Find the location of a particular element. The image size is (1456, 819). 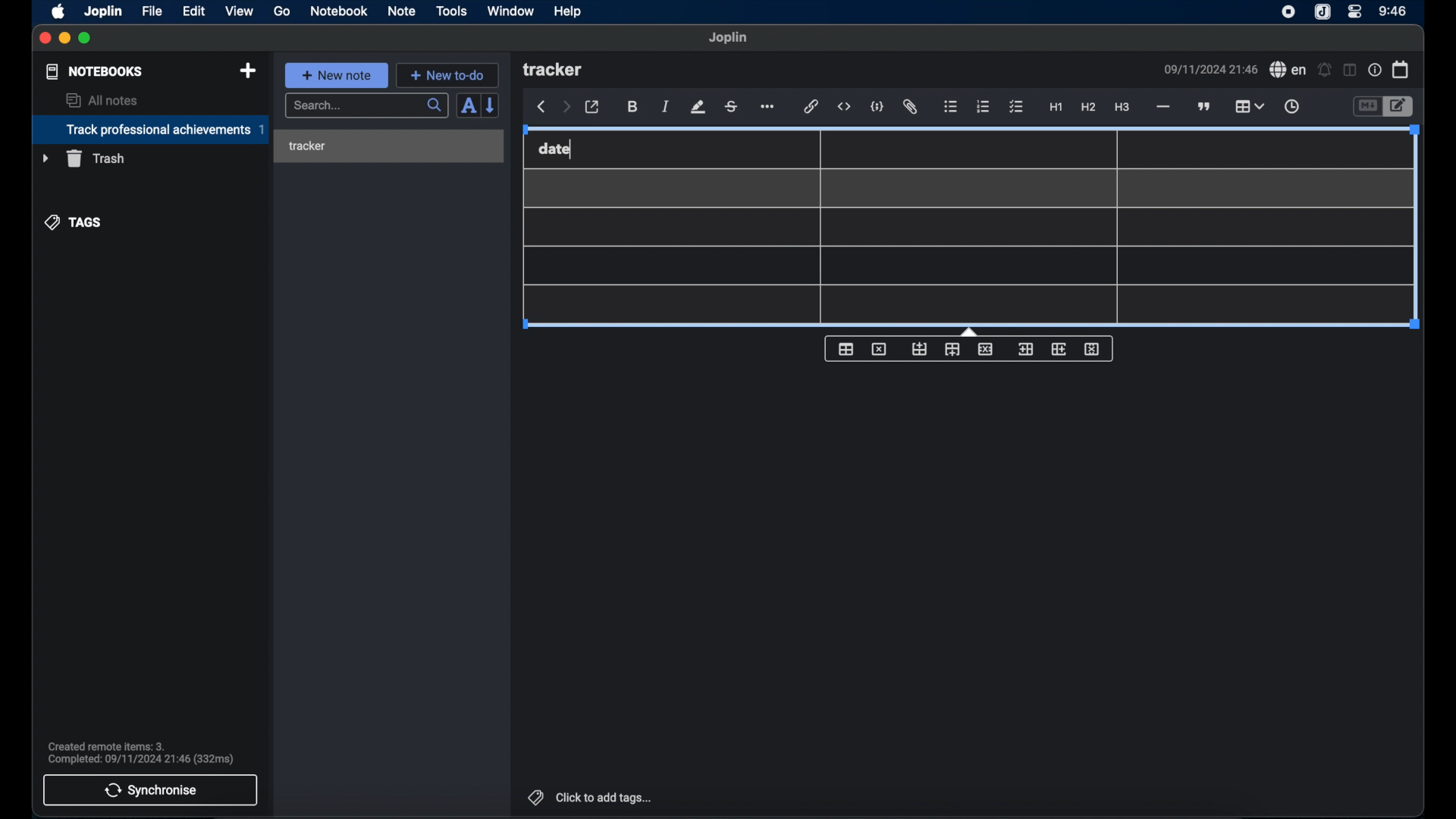

close is located at coordinates (45, 38).